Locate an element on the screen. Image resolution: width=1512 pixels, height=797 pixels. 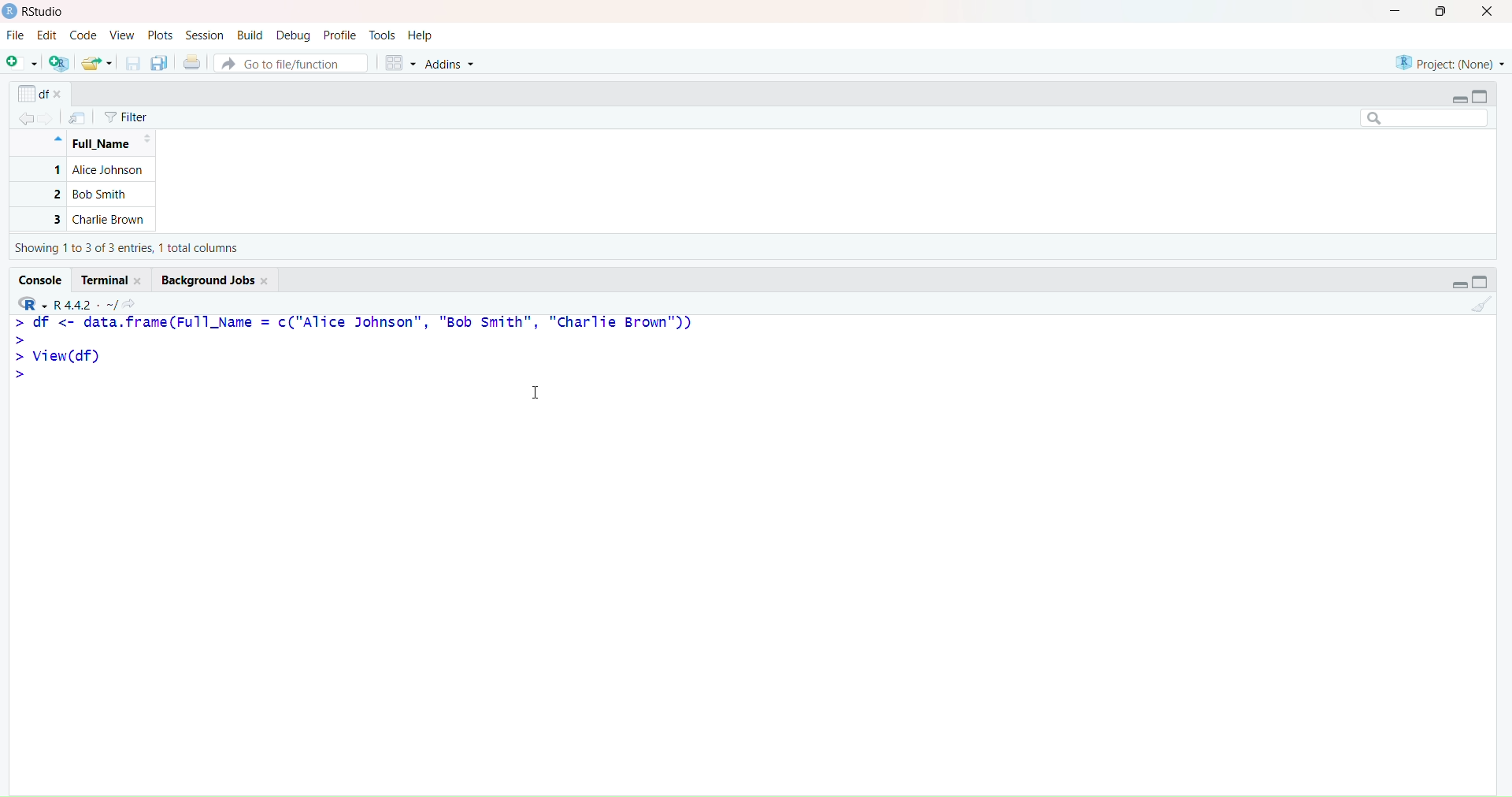
Full Name is located at coordinates (109, 145).